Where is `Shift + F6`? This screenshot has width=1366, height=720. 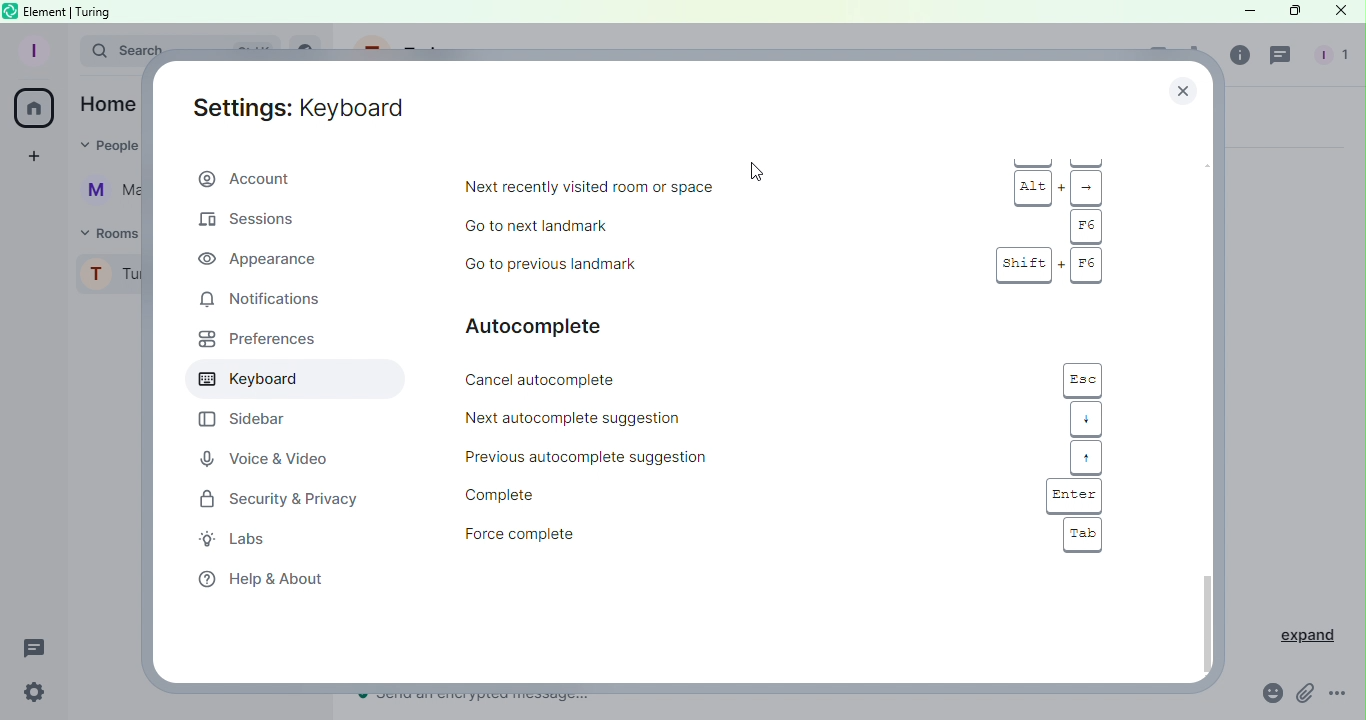 Shift + F6 is located at coordinates (1046, 266).